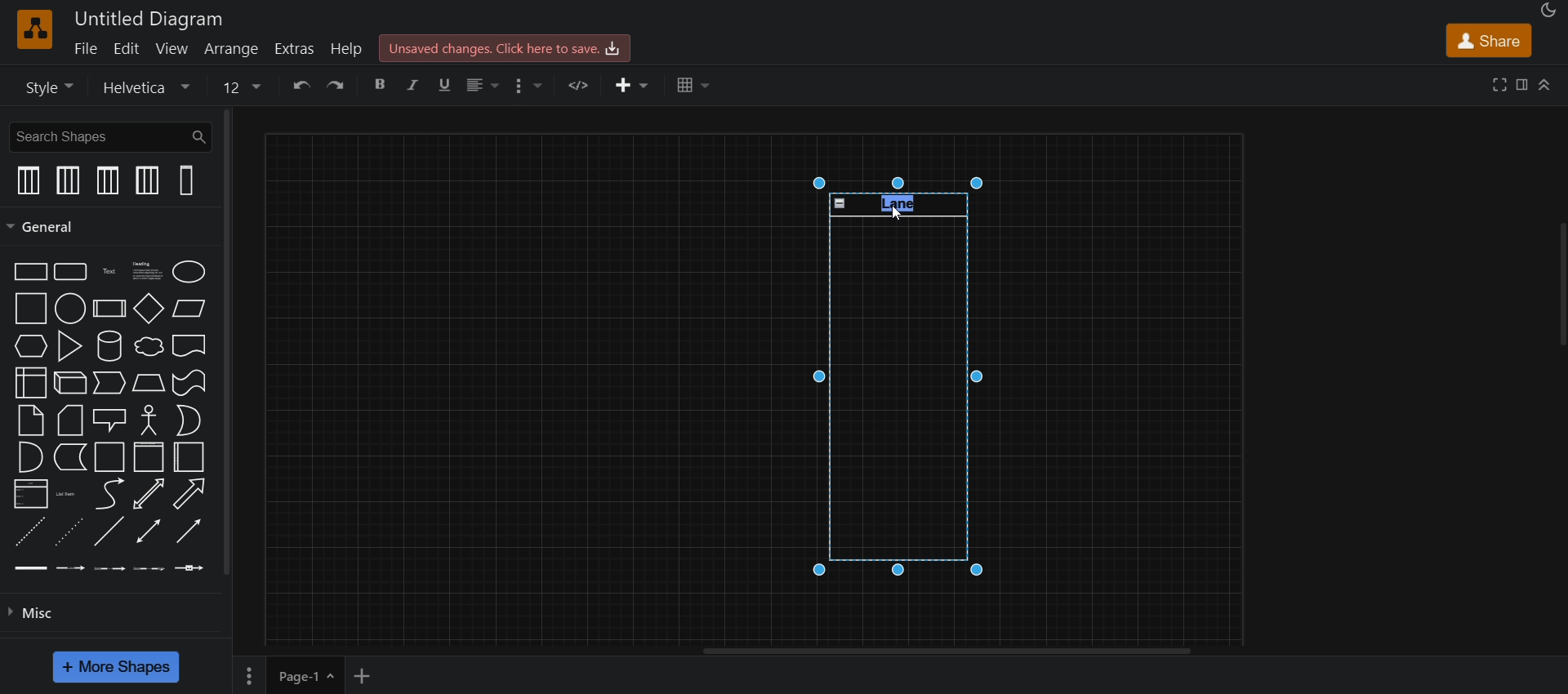  I want to click on share, so click(1488, 39).